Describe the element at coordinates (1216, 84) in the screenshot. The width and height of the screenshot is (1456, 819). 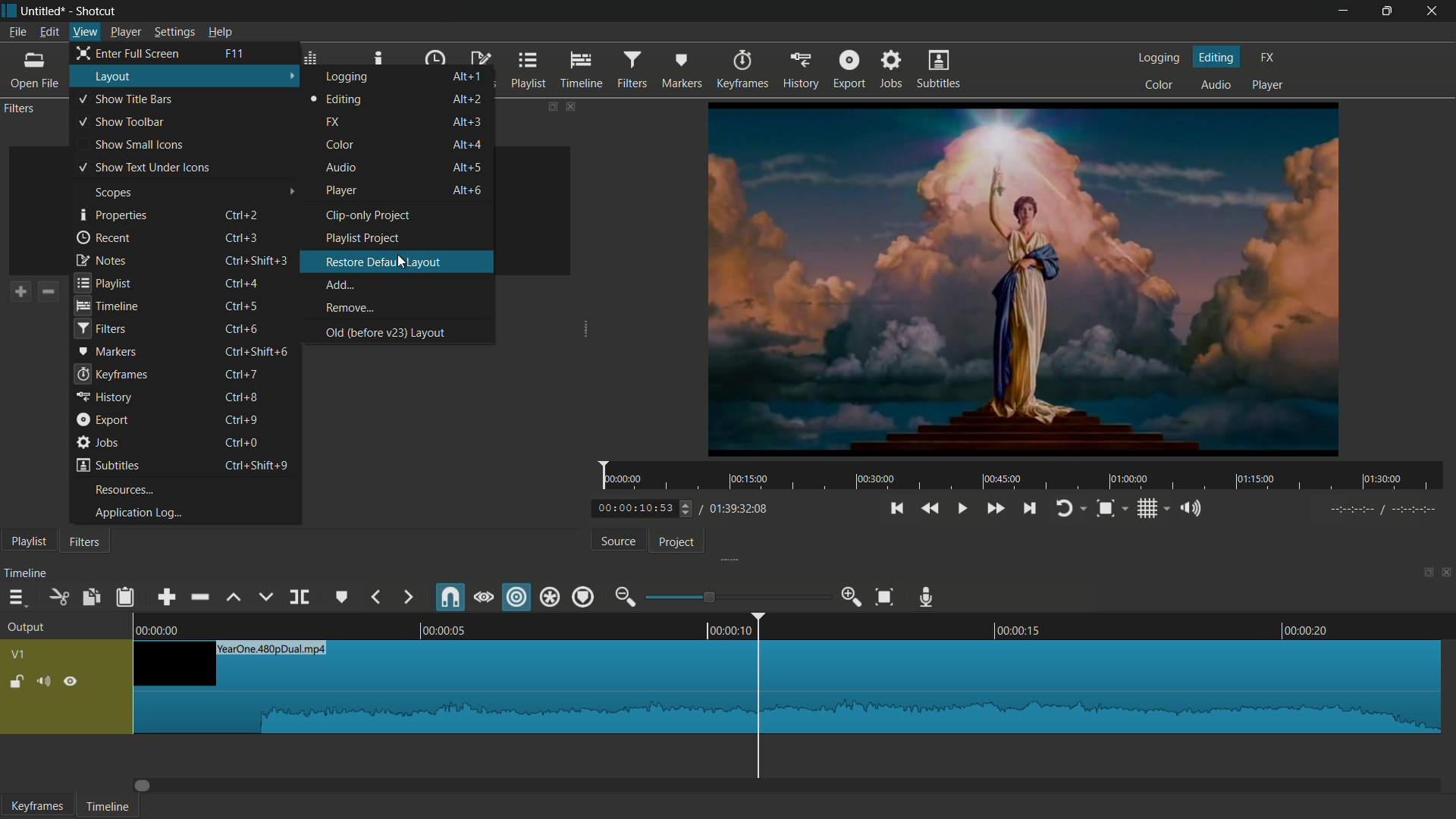
I see `audio` at that location.